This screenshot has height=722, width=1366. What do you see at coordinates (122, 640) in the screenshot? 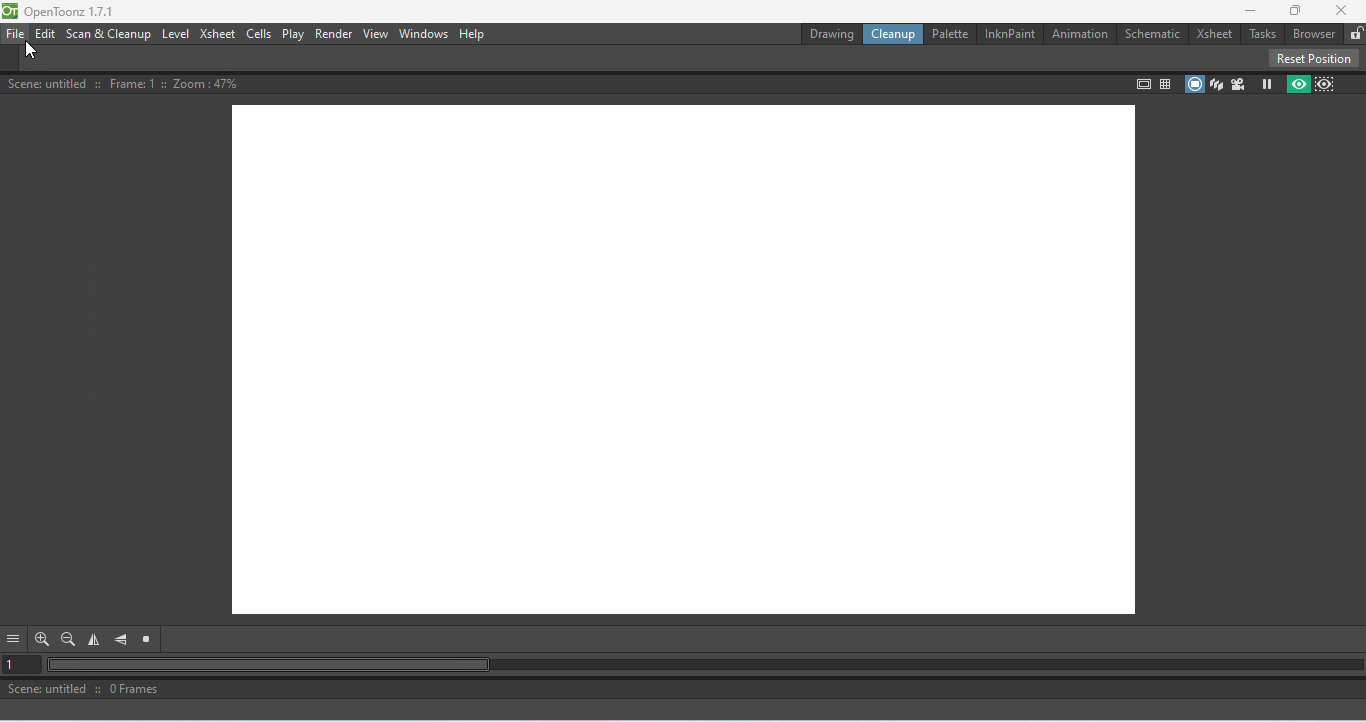
I see `Flip vertically` at bounding box center [122, 640].